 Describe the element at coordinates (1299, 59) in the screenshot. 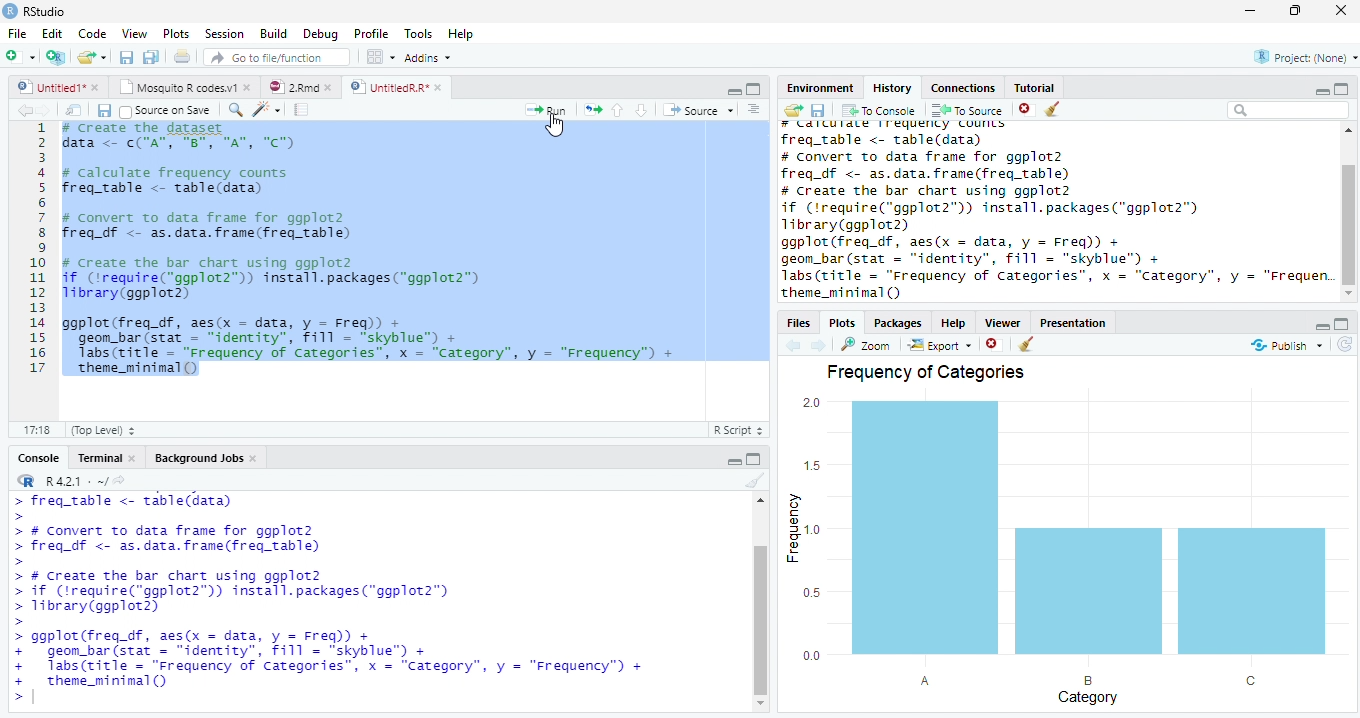

I see `Project: (None)` at that location.